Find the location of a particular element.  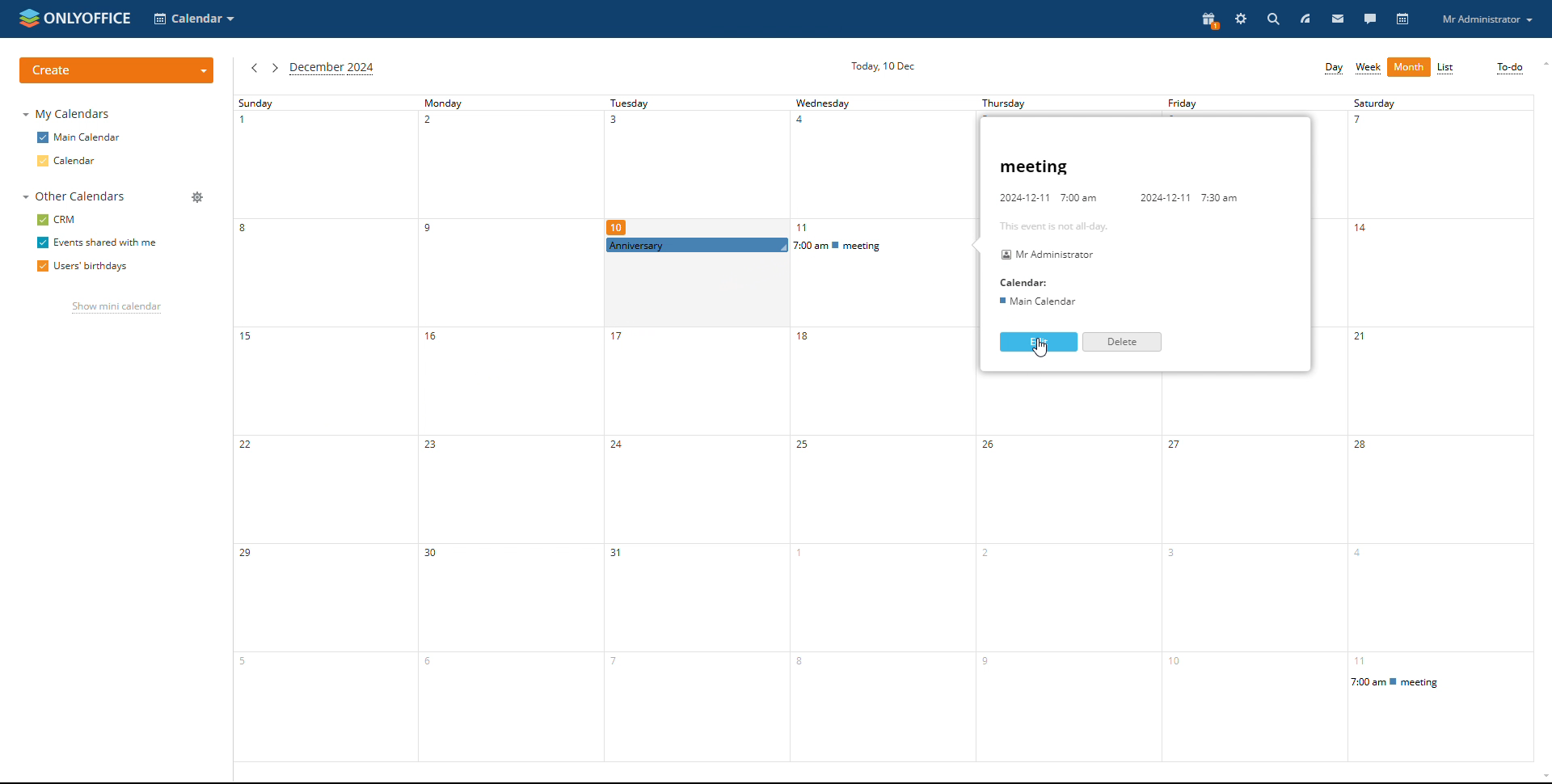

meeting is located at coordinates (1090, 166).